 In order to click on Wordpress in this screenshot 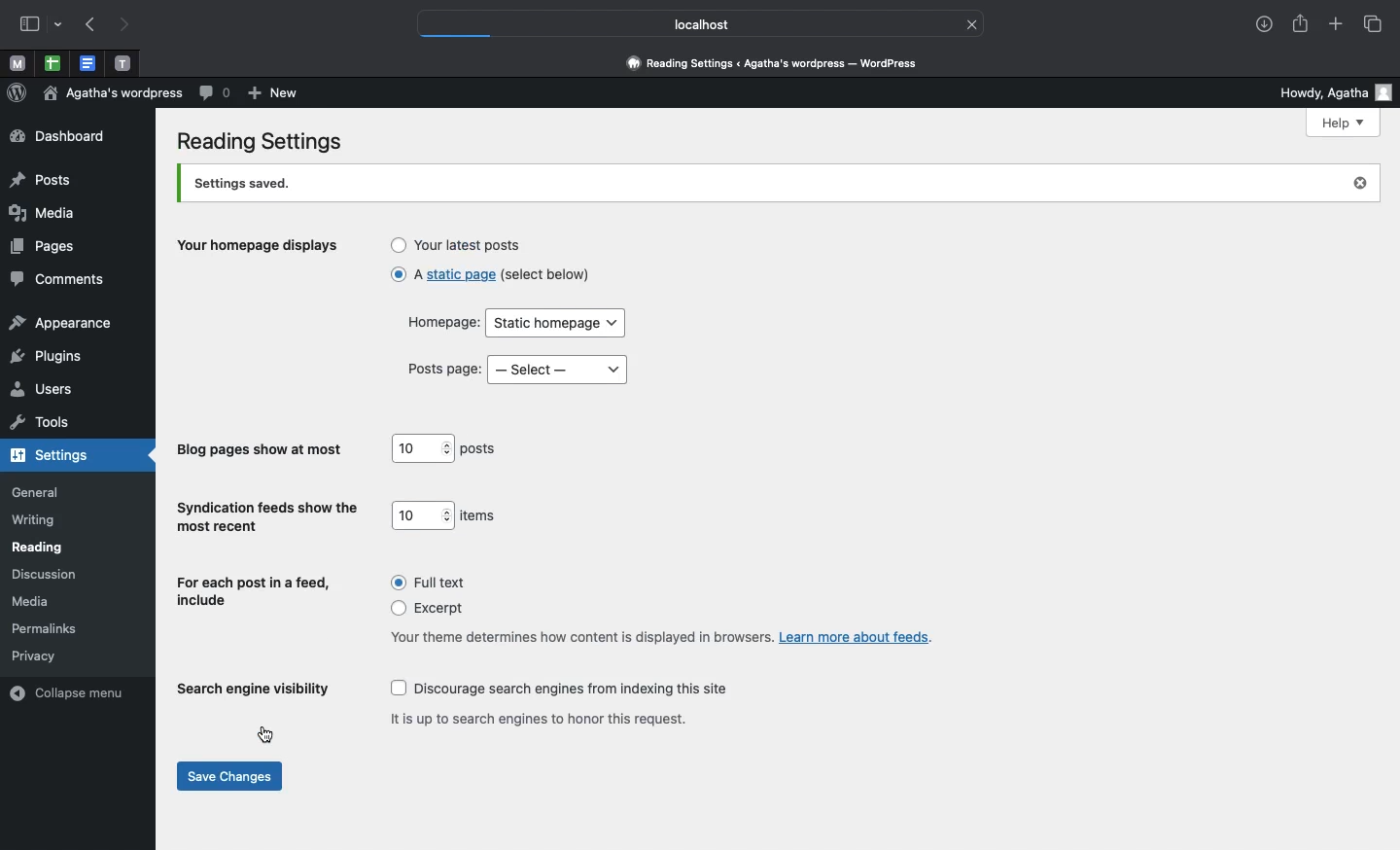, I will do `click(17, 91)`.